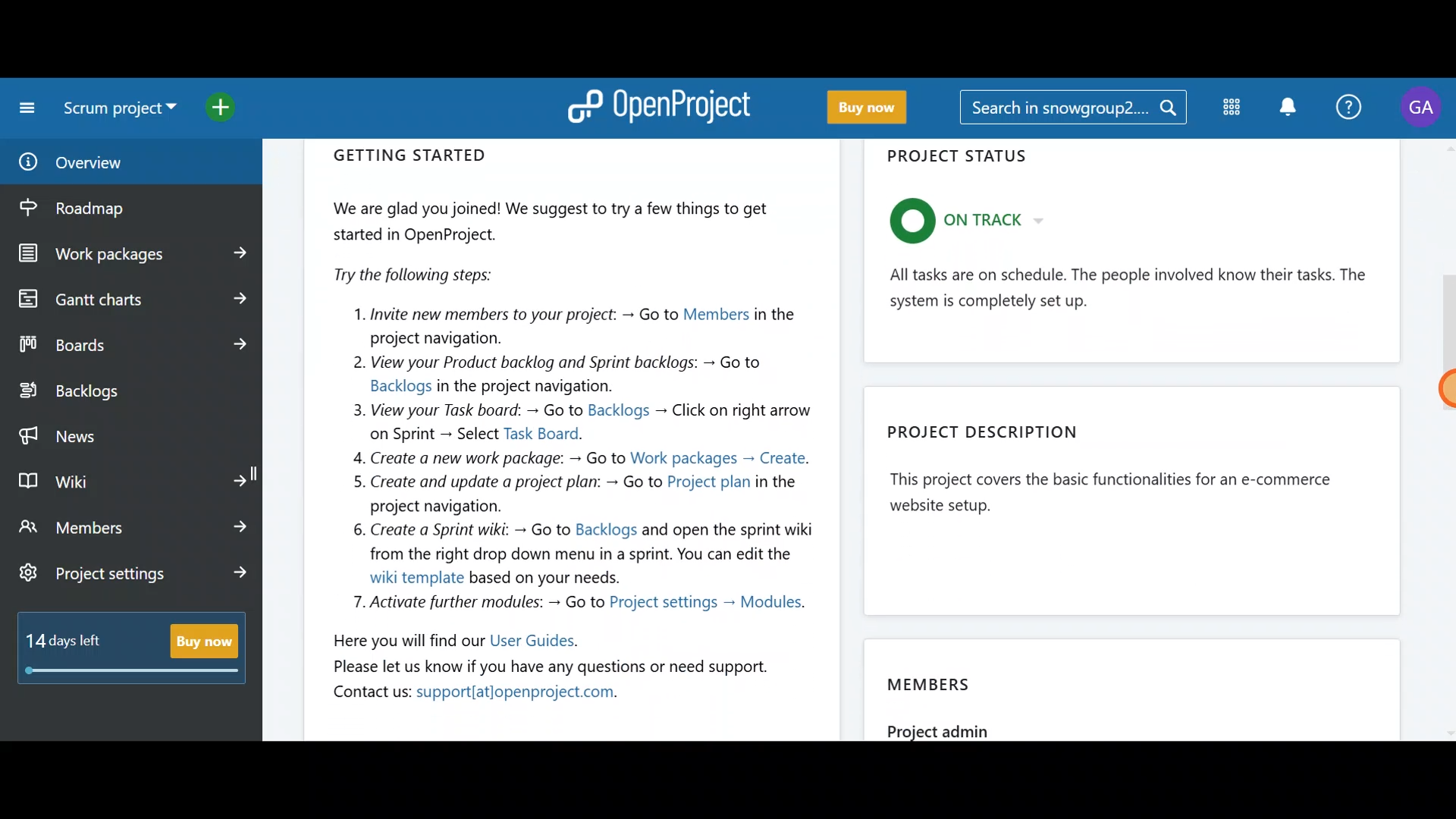  What do you see at coordinates (135, 576) in the screenshot?
I see `Project settings` at bounding box center [135, 576].